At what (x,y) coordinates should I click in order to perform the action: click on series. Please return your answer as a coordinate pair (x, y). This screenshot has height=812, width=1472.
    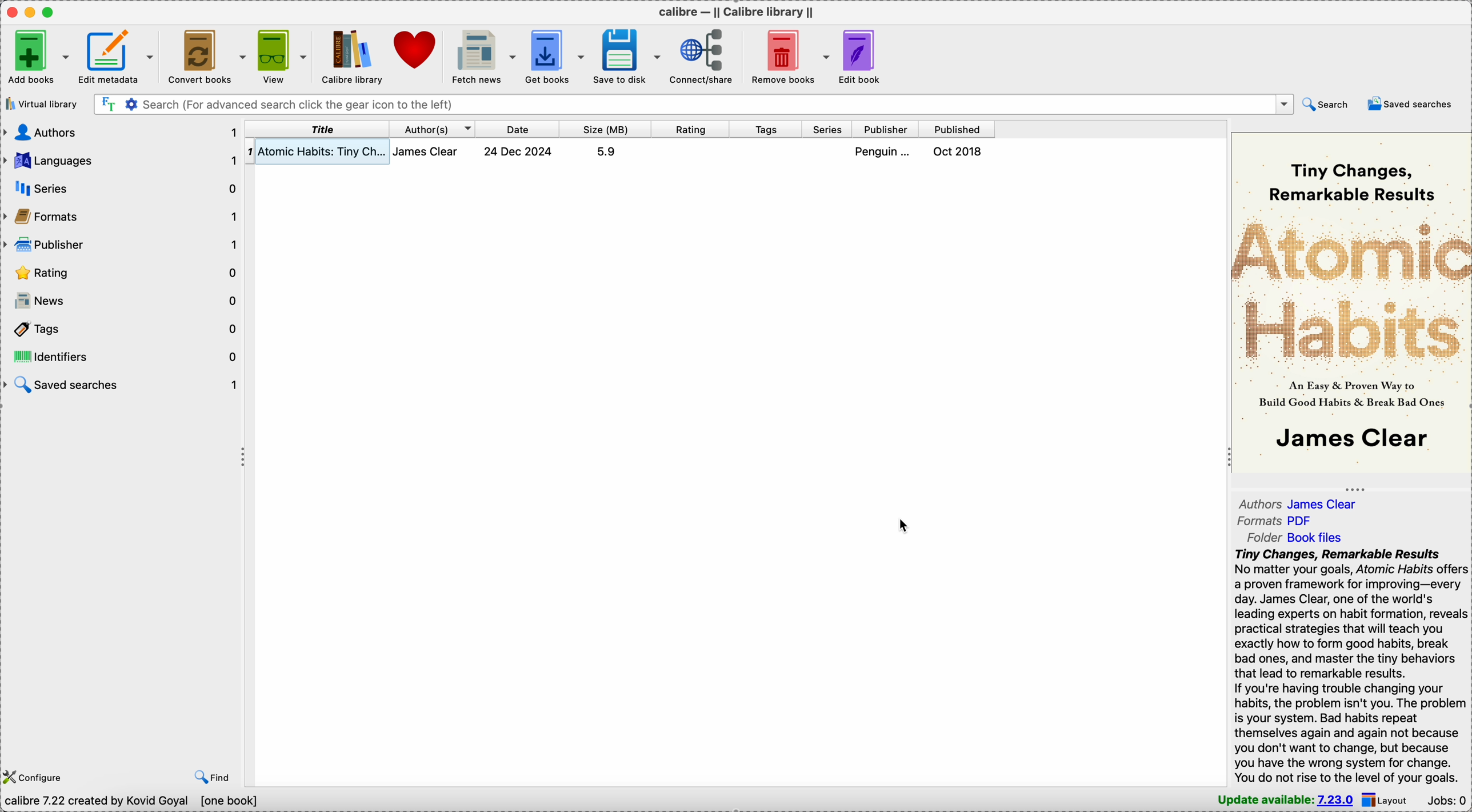
    Looking at the image, I should click on (828, 130).